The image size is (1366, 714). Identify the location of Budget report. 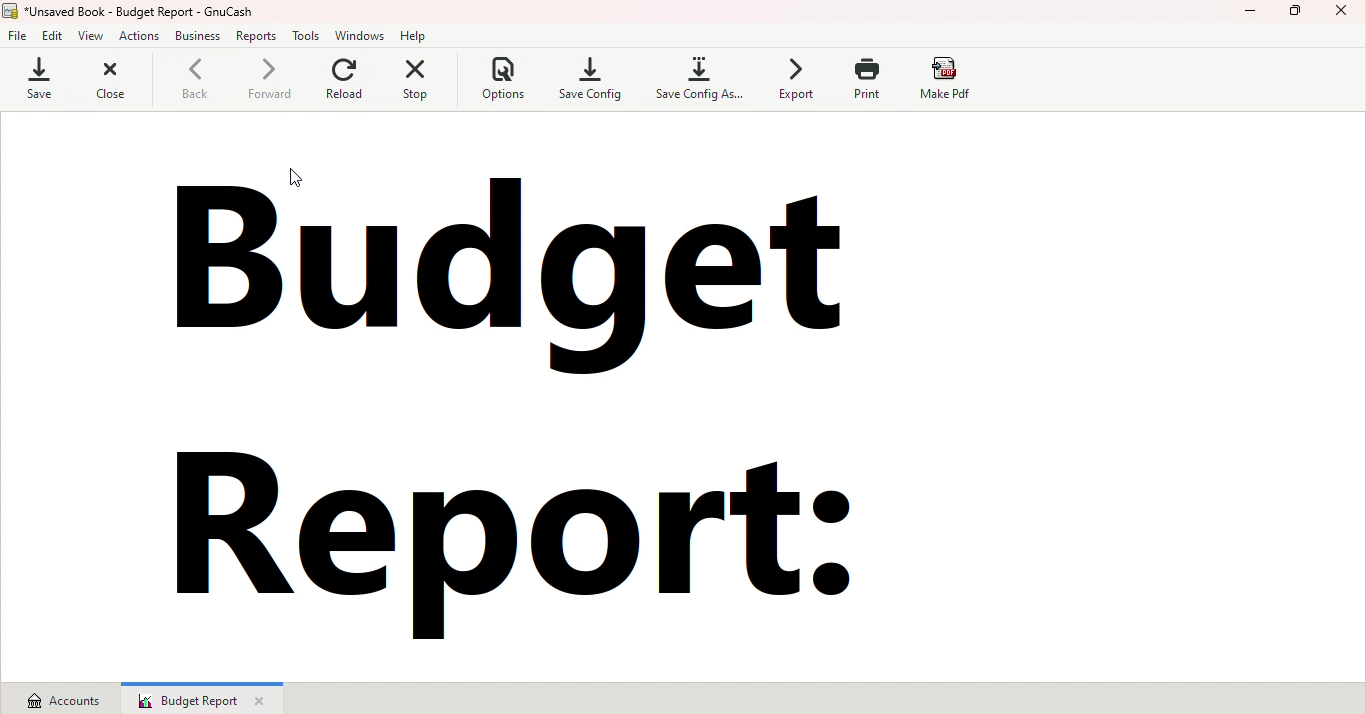
(581, 413).